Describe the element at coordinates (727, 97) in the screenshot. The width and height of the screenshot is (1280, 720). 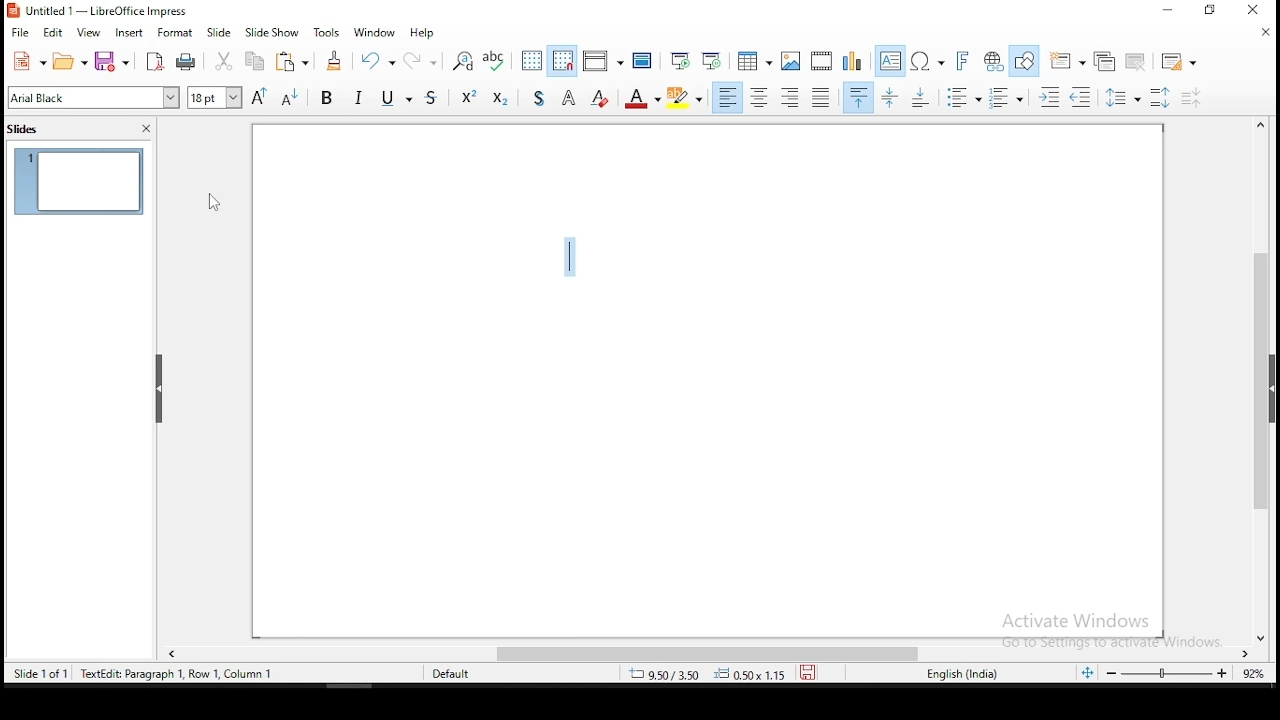
I see `Left Align` at that location.